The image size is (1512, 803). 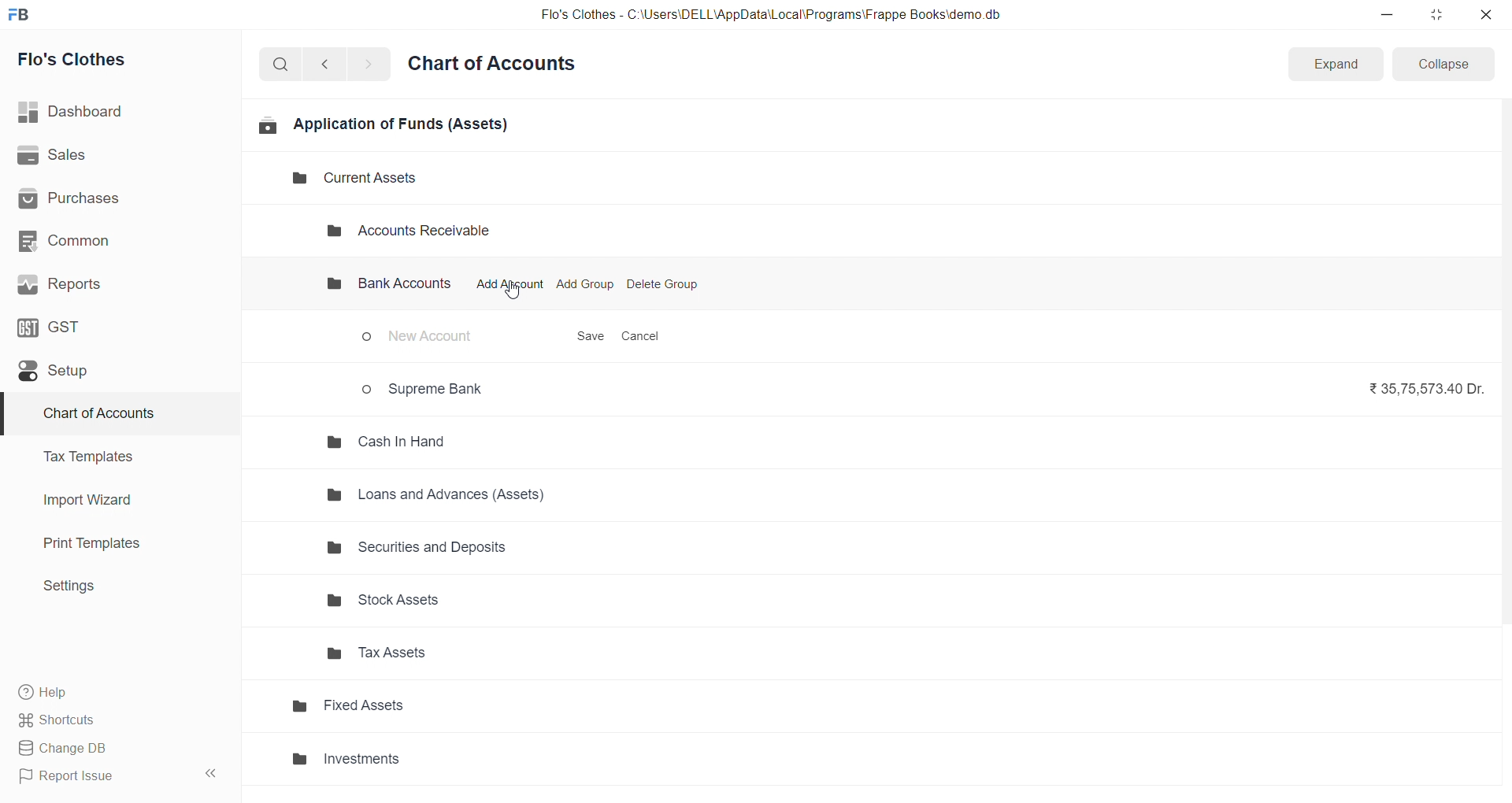 I want to click on Cancel, so click(x=641, y=337).